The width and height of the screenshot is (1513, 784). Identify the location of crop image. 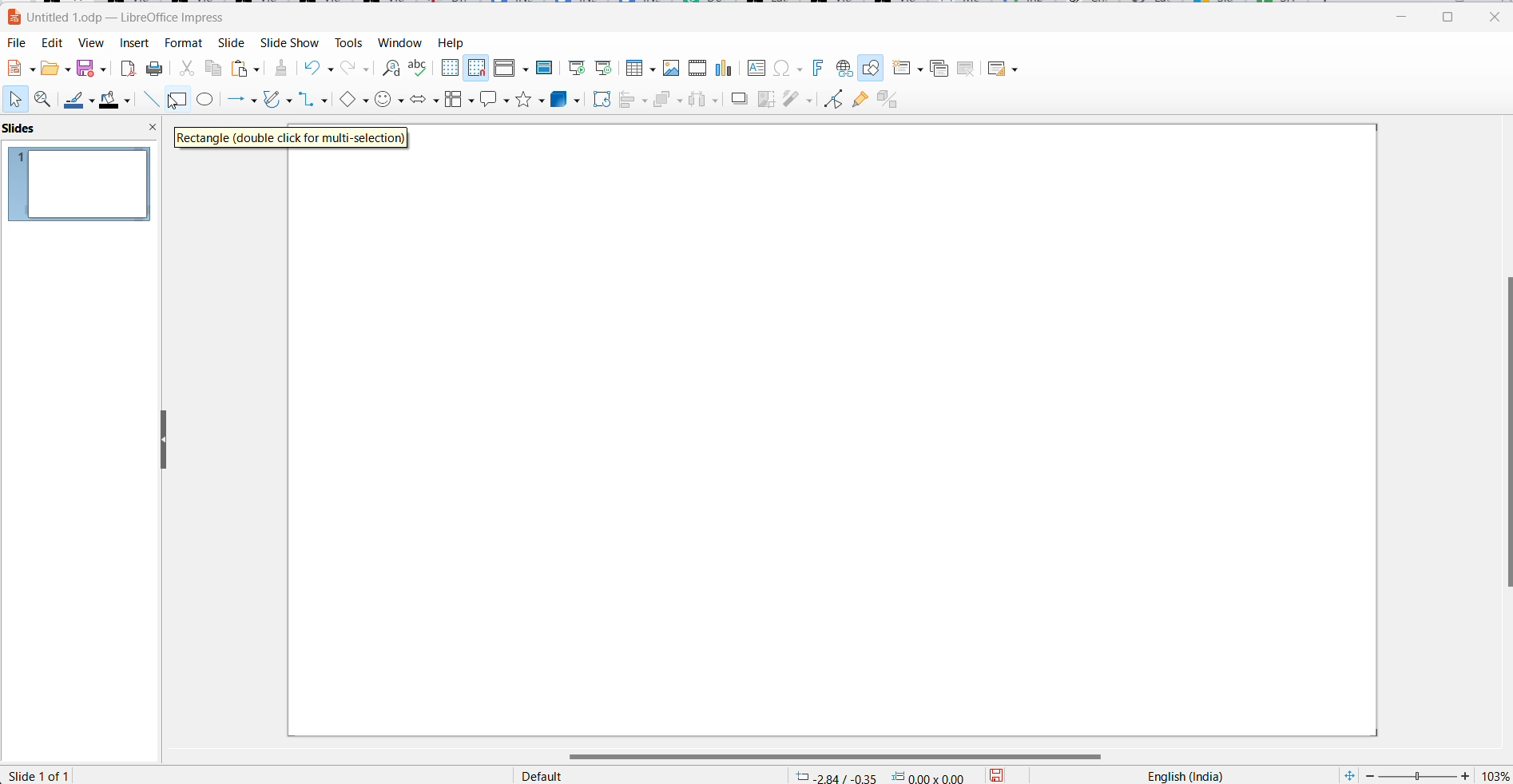
(766, 99).